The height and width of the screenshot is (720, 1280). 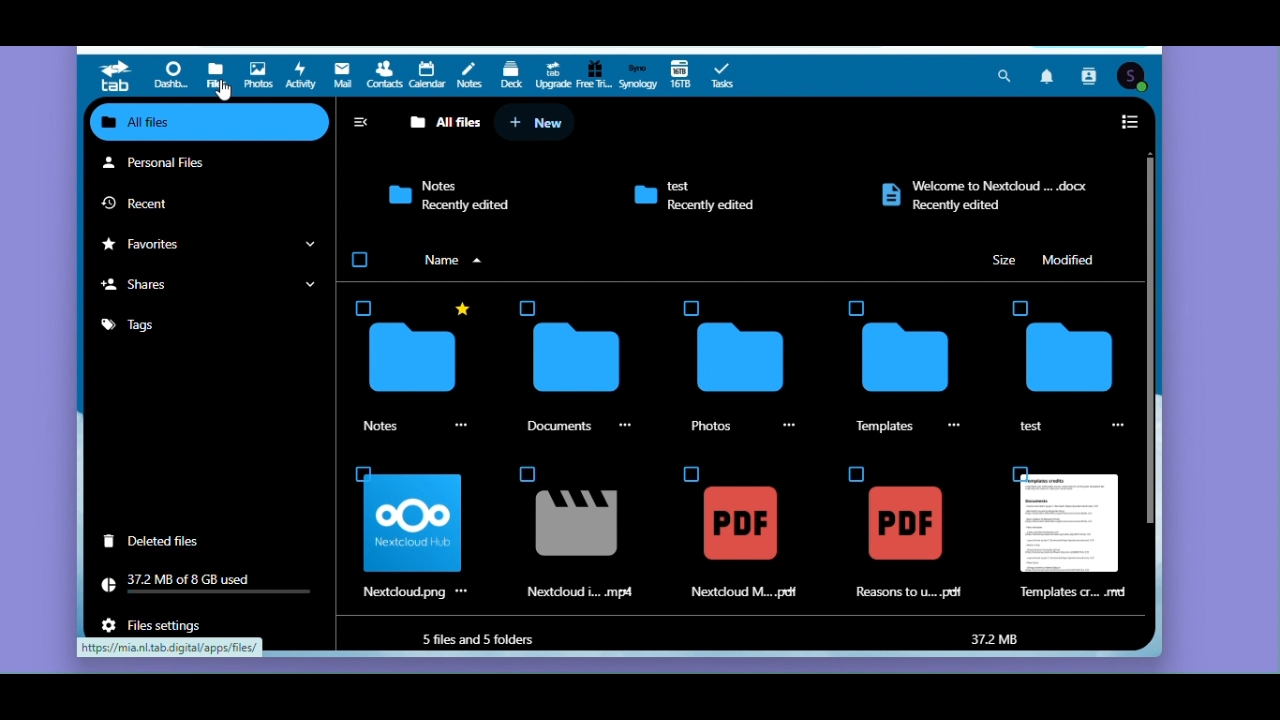 I want to click on Welcome to Nextcloud, so click(x=986, y=199).